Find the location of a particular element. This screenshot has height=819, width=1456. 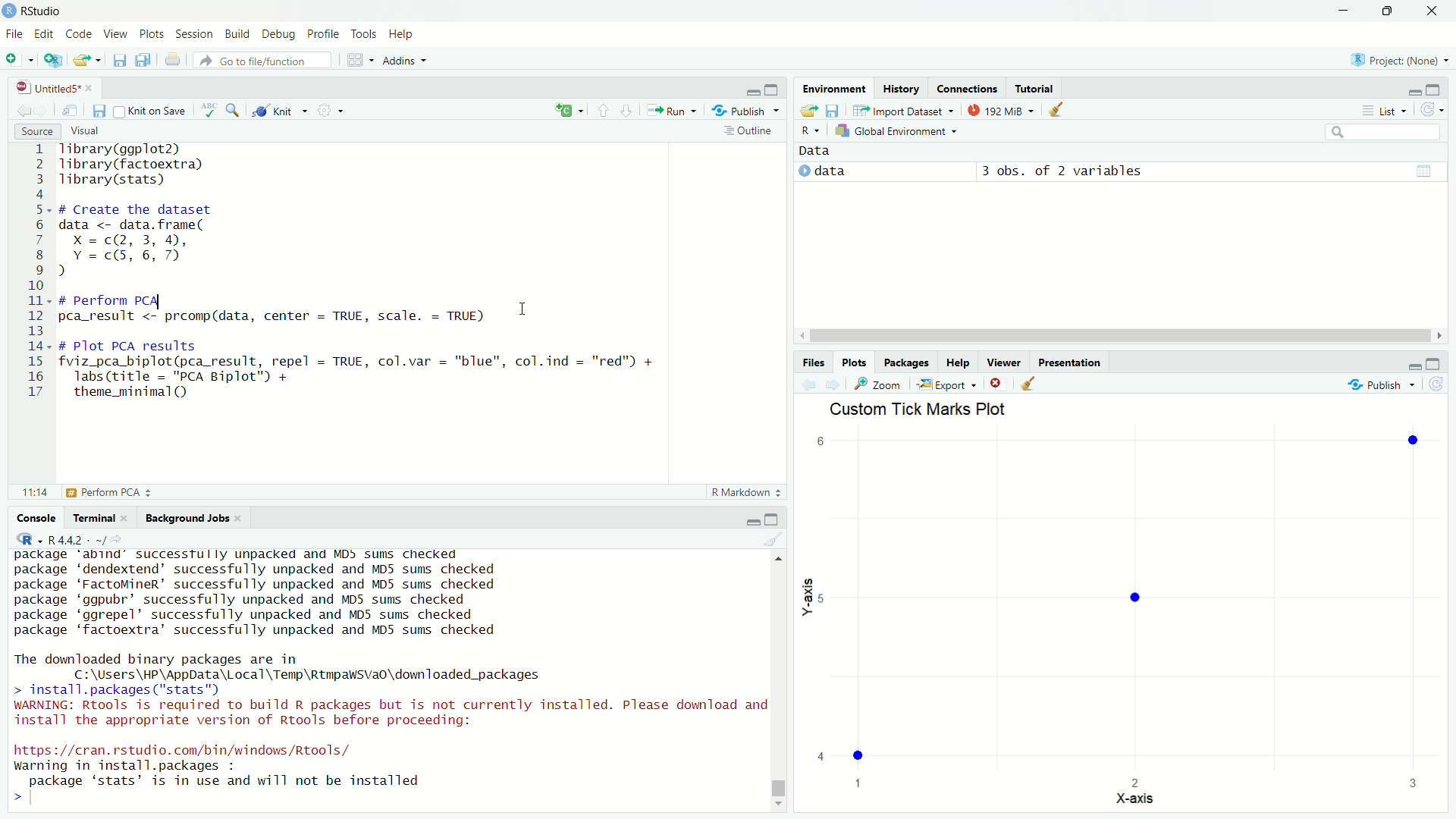

source on save is located at coordinates (152, 112).